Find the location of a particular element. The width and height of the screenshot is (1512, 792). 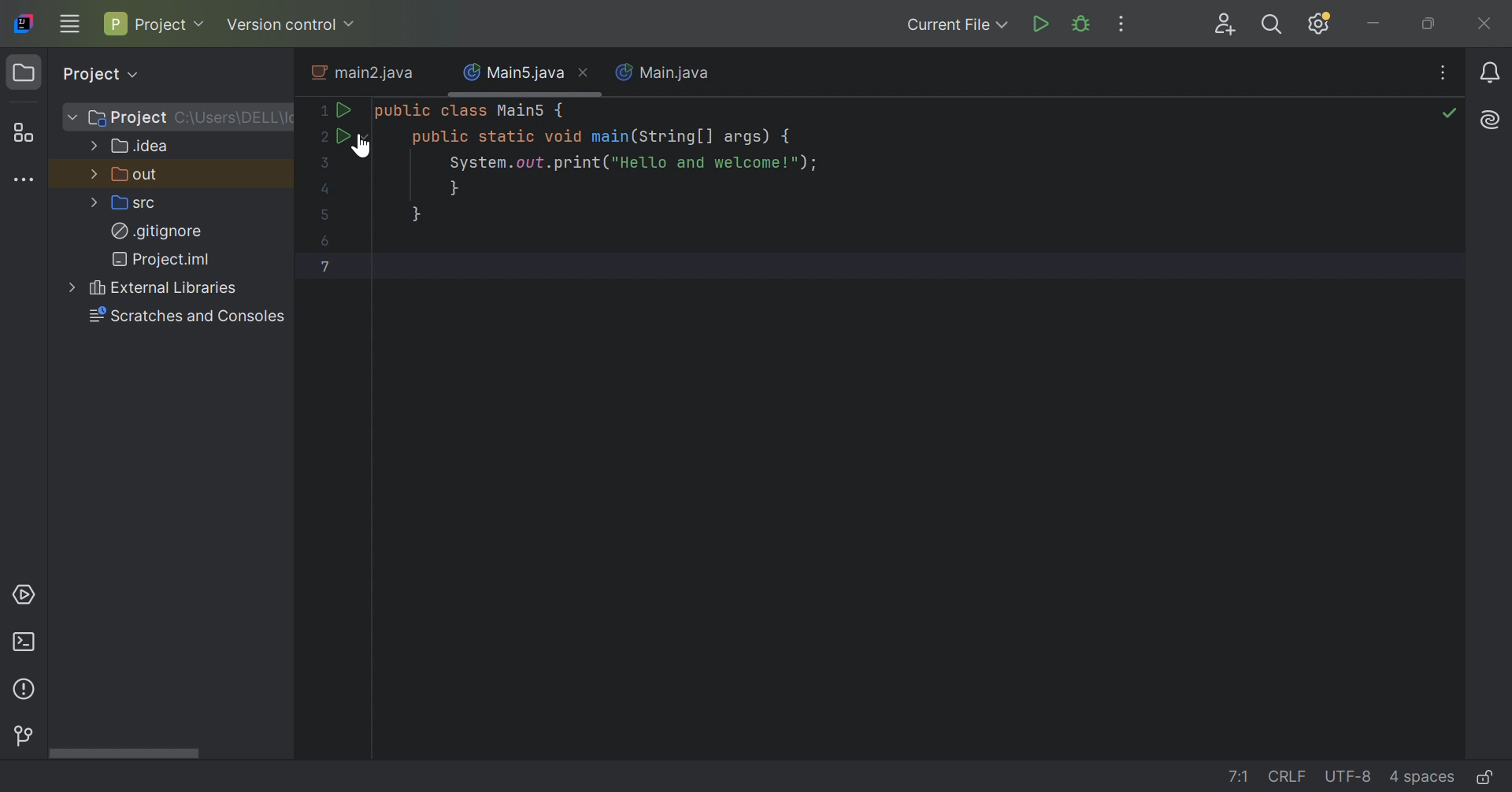

public class Main5 { is located at coordinates (471, 112).